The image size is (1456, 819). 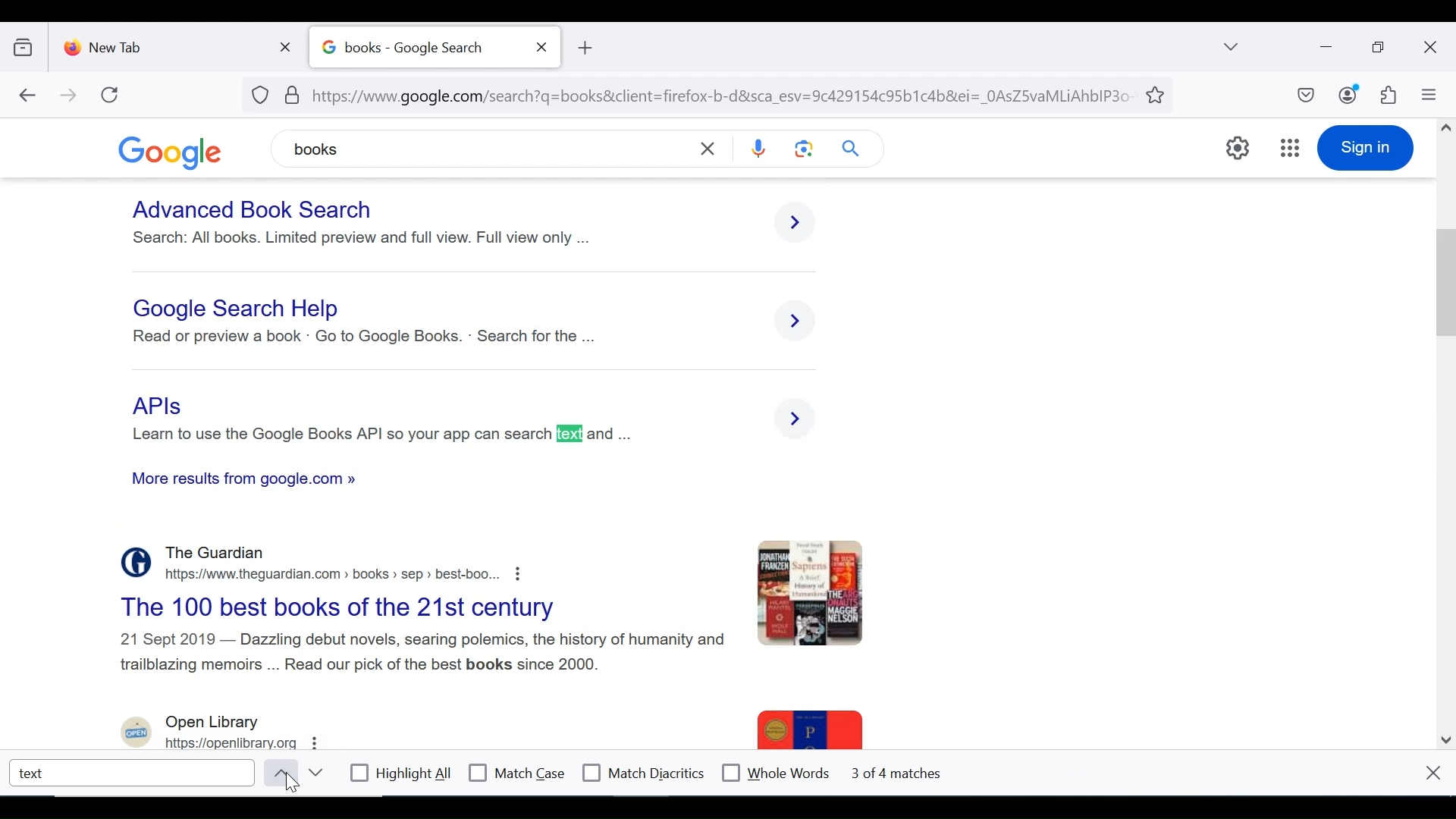 I want to click on the 100 best books of the 21st century, so click(x=353, y=608).